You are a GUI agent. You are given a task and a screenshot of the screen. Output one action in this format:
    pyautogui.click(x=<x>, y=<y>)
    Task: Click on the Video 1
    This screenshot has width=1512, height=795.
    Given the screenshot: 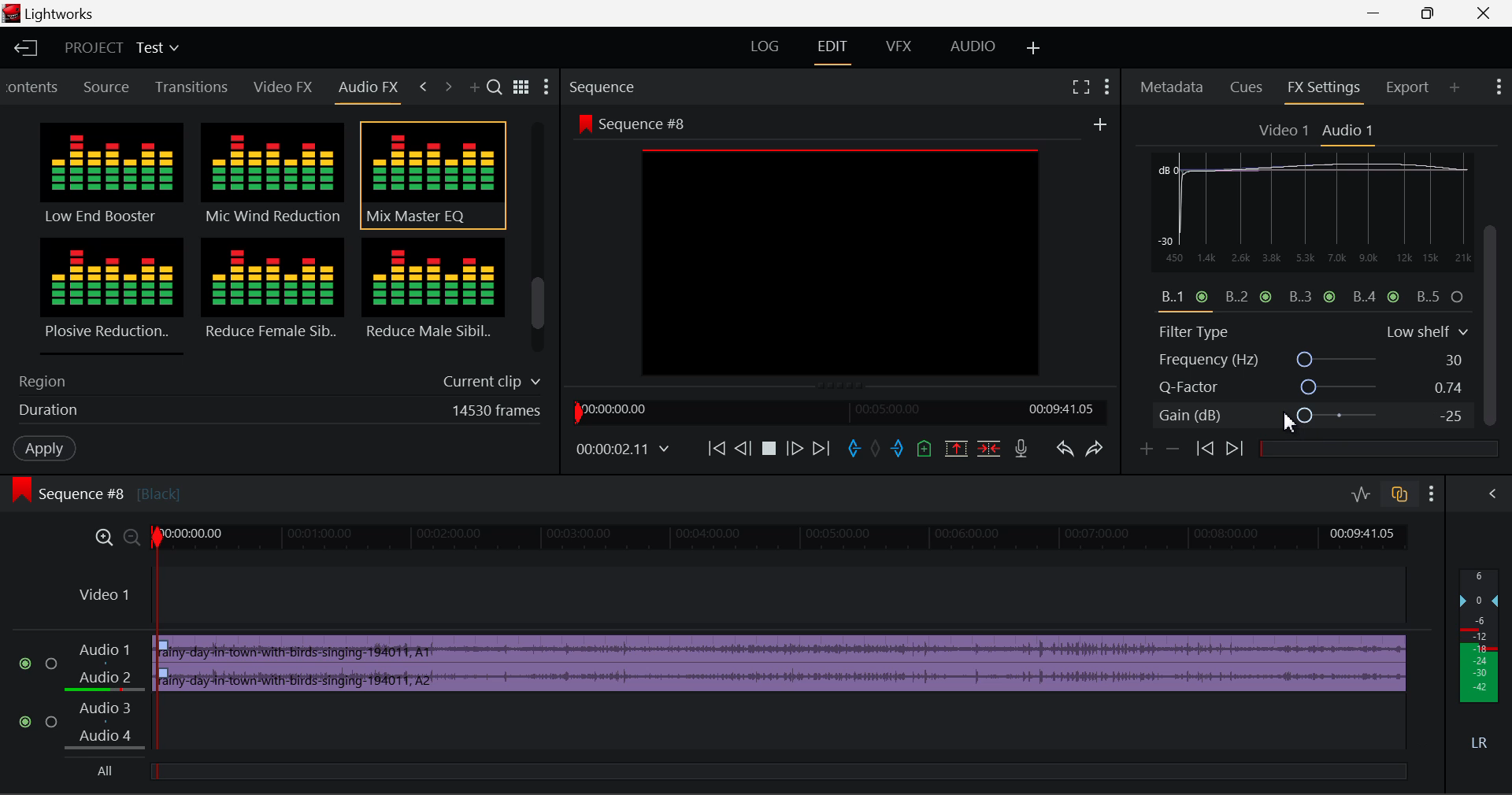 What is the action you would take?
    pyautogui.click(x=1284, y=131)
    